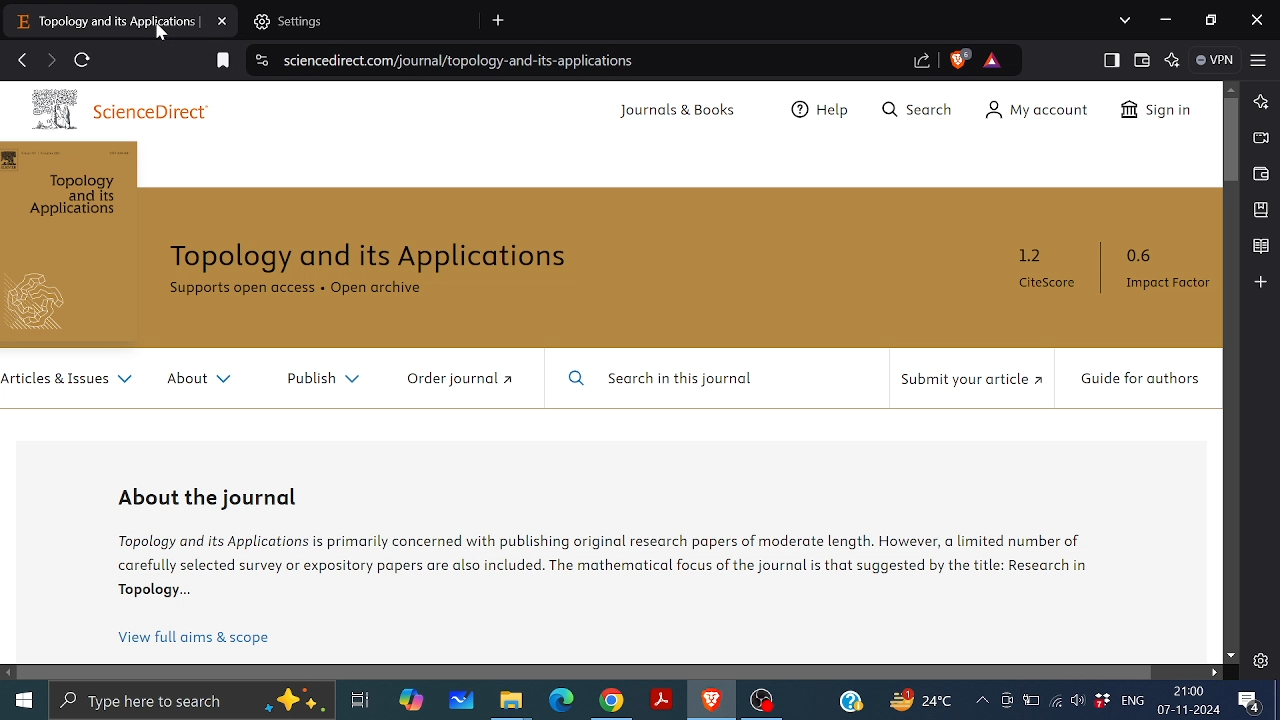 This screenshot has height=720, width=1280. Describe the element at coordinates (1007, 701) in the screenshot. I see `` at that location.